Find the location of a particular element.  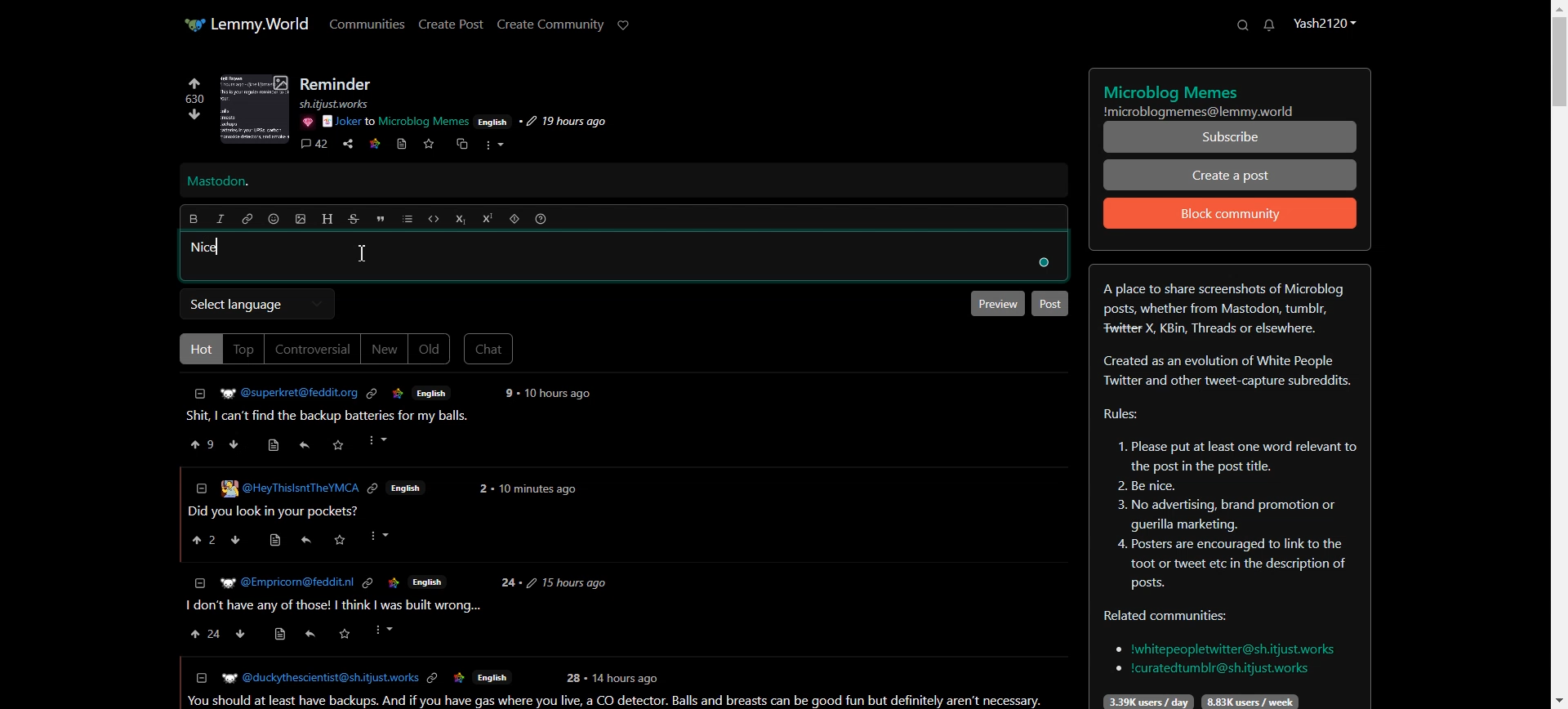

List is located at coordinates (408, 219).